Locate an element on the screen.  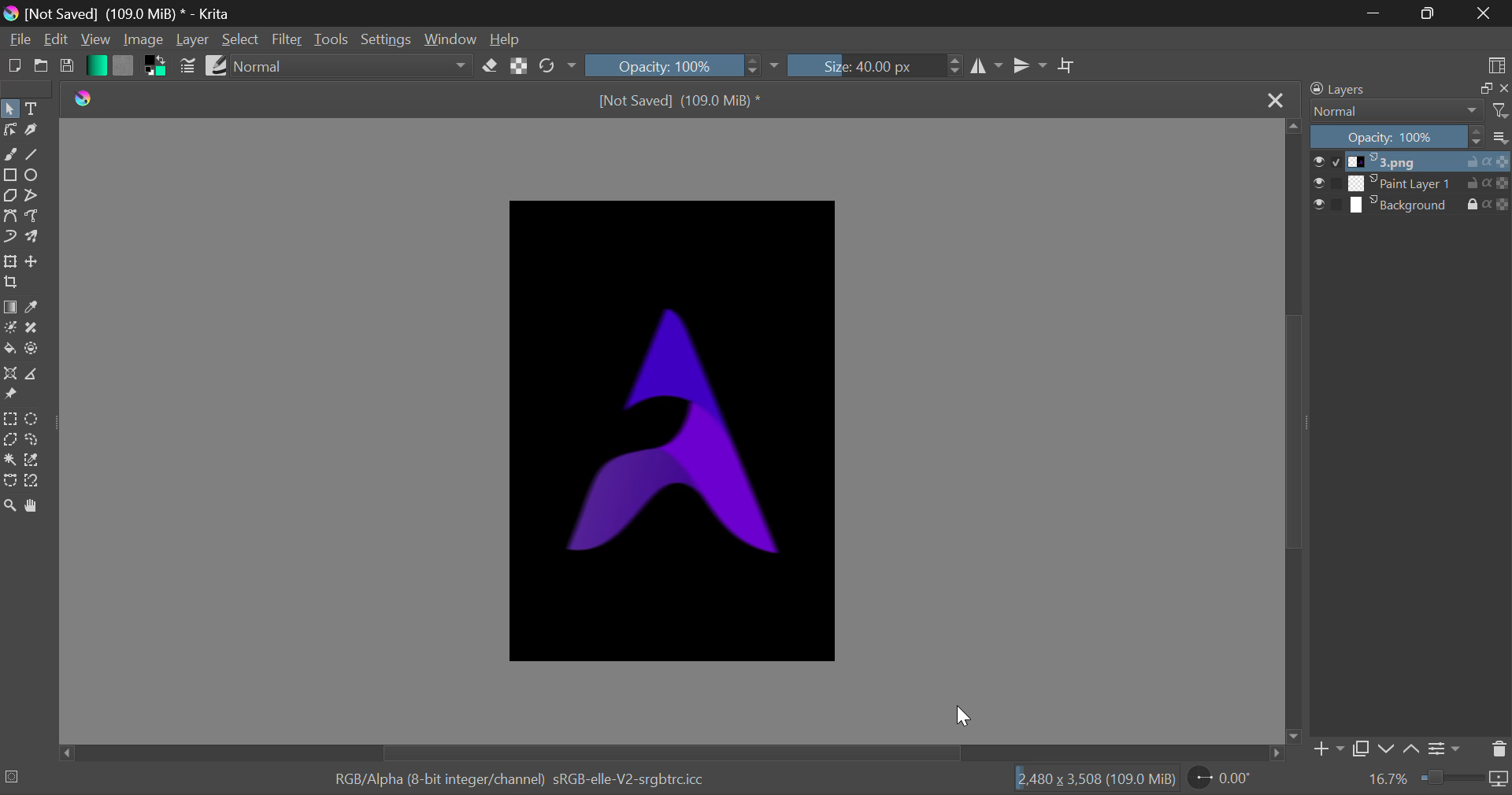
Similar Color Selection Tool is located at coordinates (38, 461).